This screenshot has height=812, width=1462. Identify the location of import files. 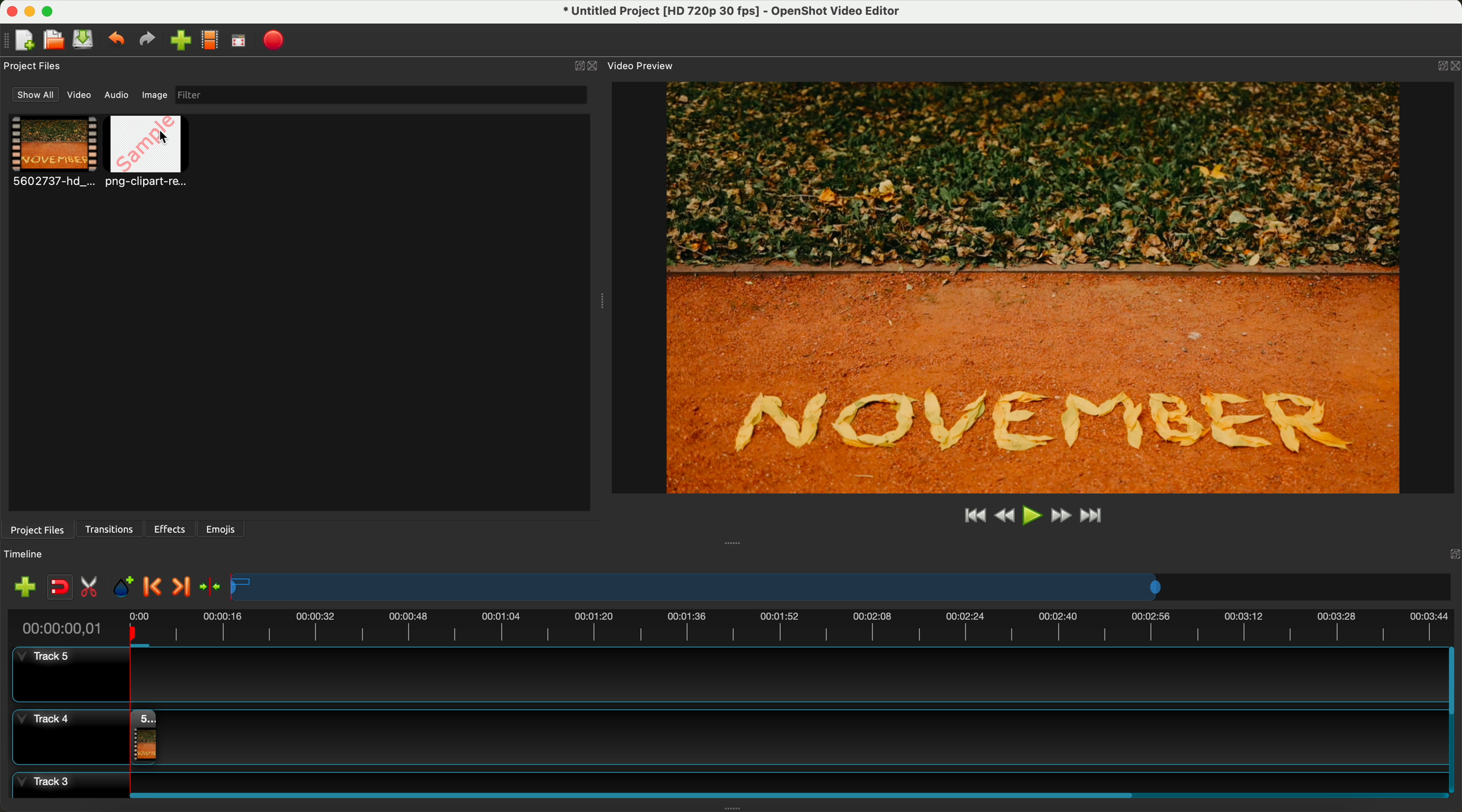
(22, 586).